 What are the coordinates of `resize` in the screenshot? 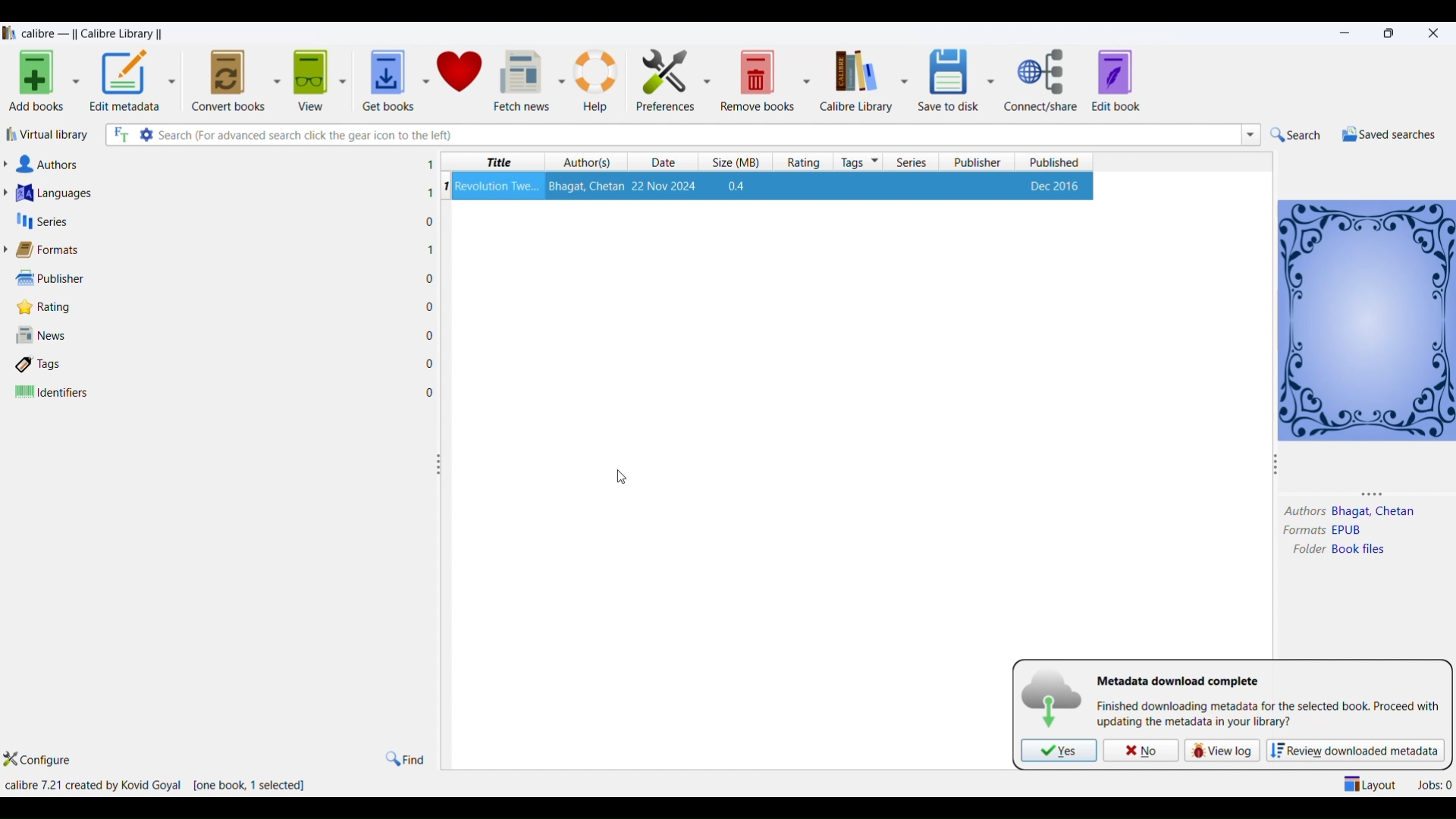 It's located at (1379, 493).